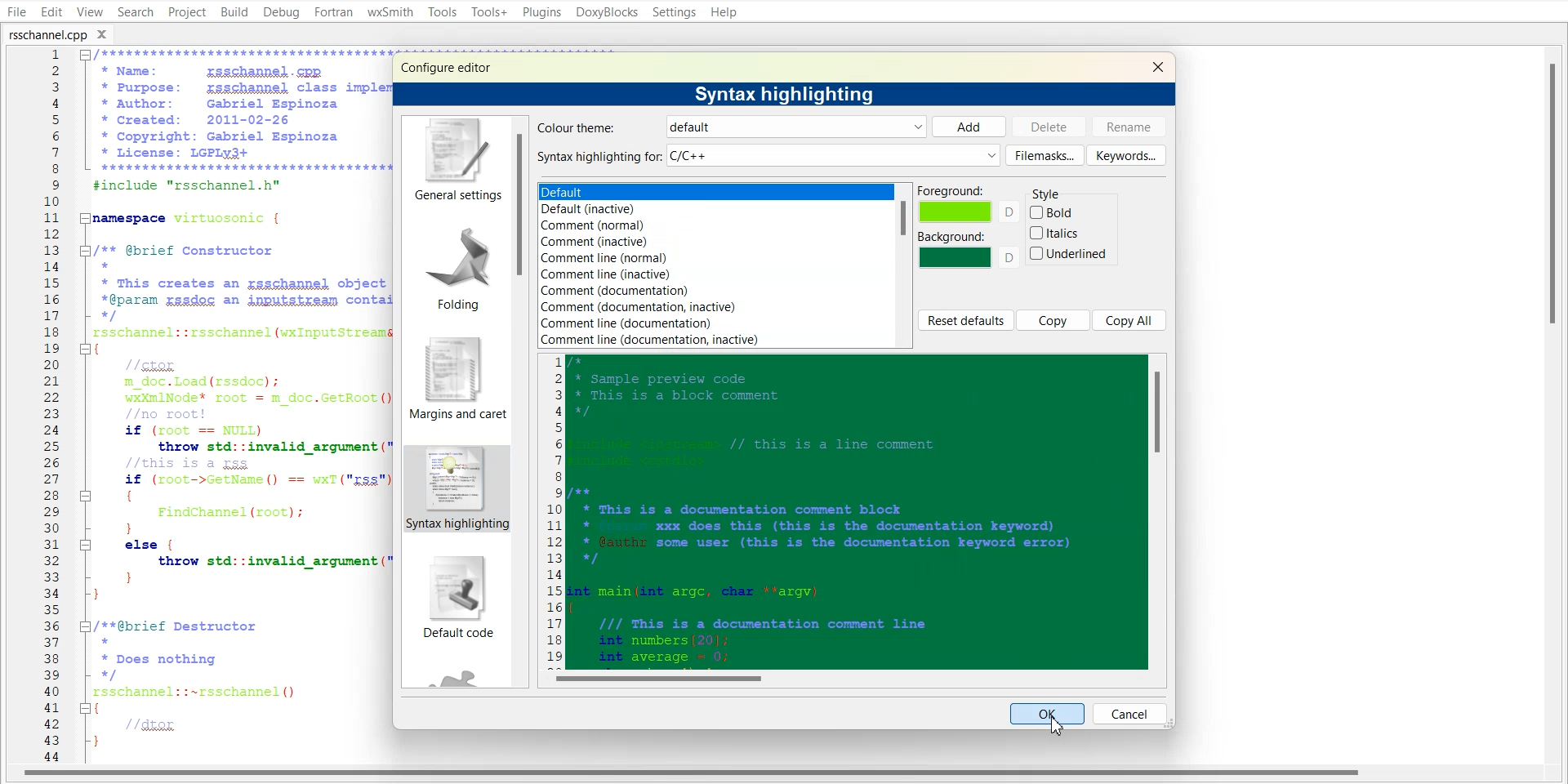  What do you see at coordinates (333, 12) in the screenshot?
I see `Fortran` at bounding box center [333, 12].